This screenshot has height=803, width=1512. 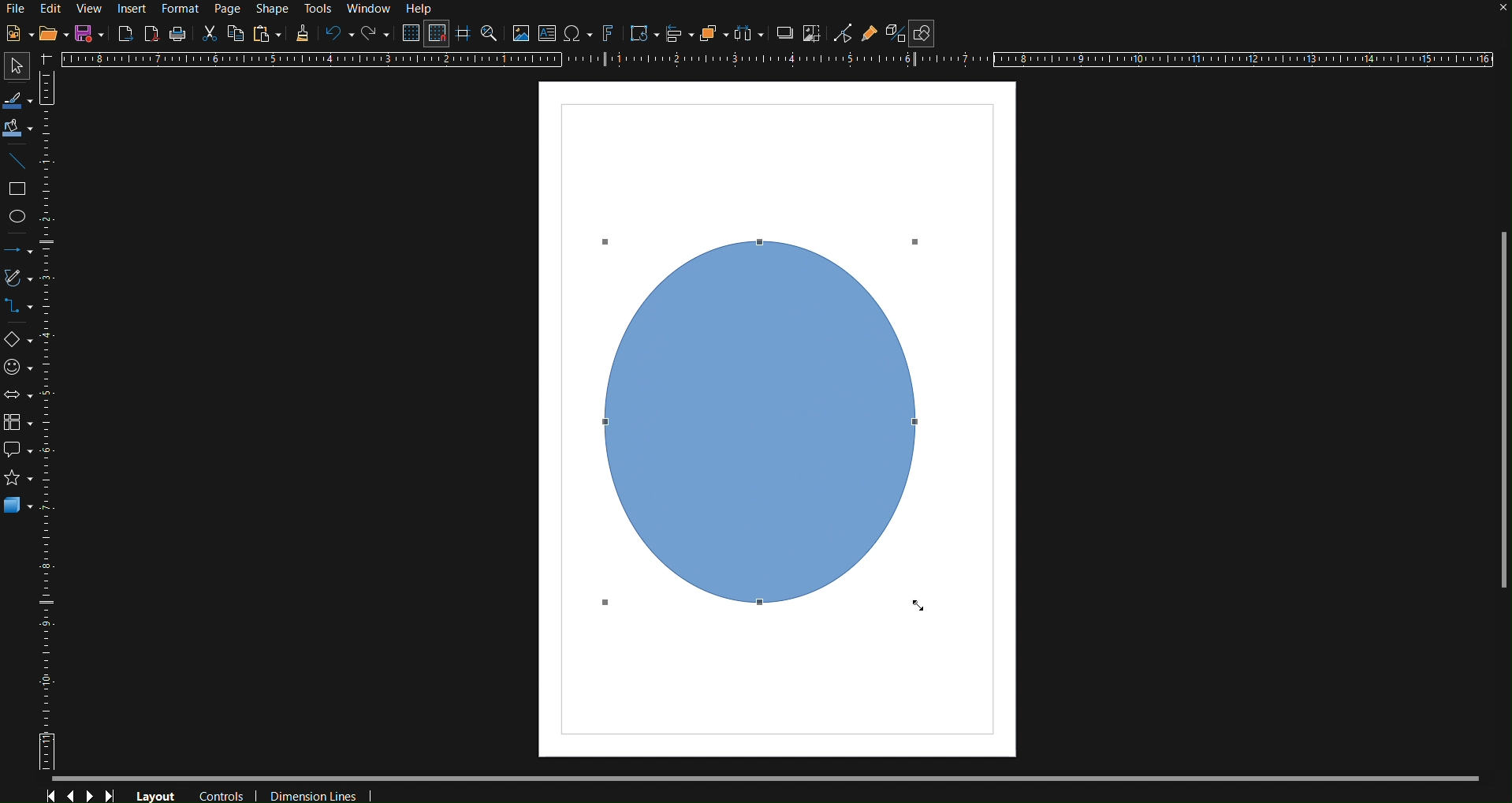 I want to click on Cut, so click(x=209, y=32).